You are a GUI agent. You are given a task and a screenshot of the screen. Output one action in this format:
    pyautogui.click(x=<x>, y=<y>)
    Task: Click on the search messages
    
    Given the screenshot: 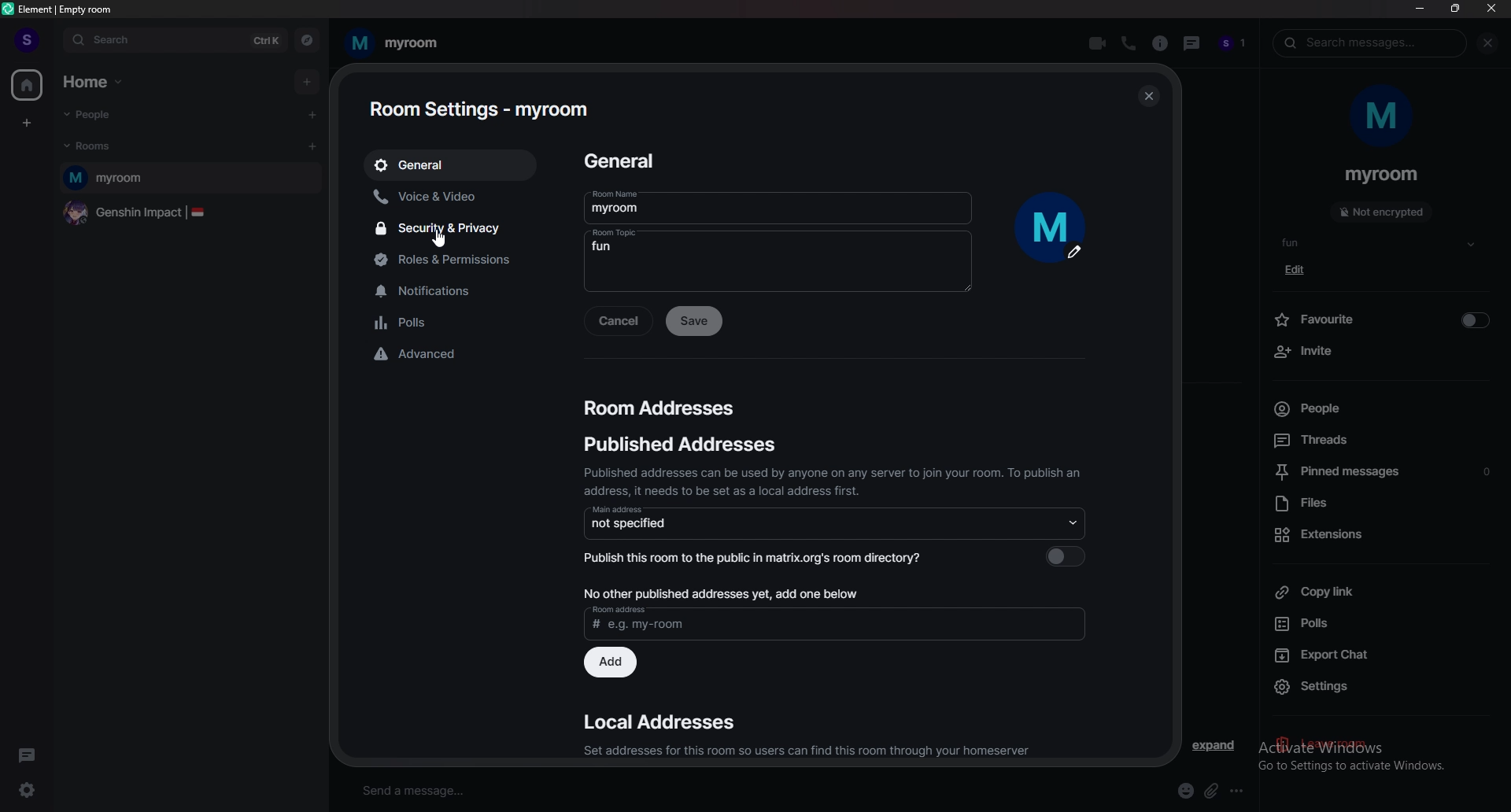 What is the action you would take?
    pyautogui.click(x=1374, y=42)
    